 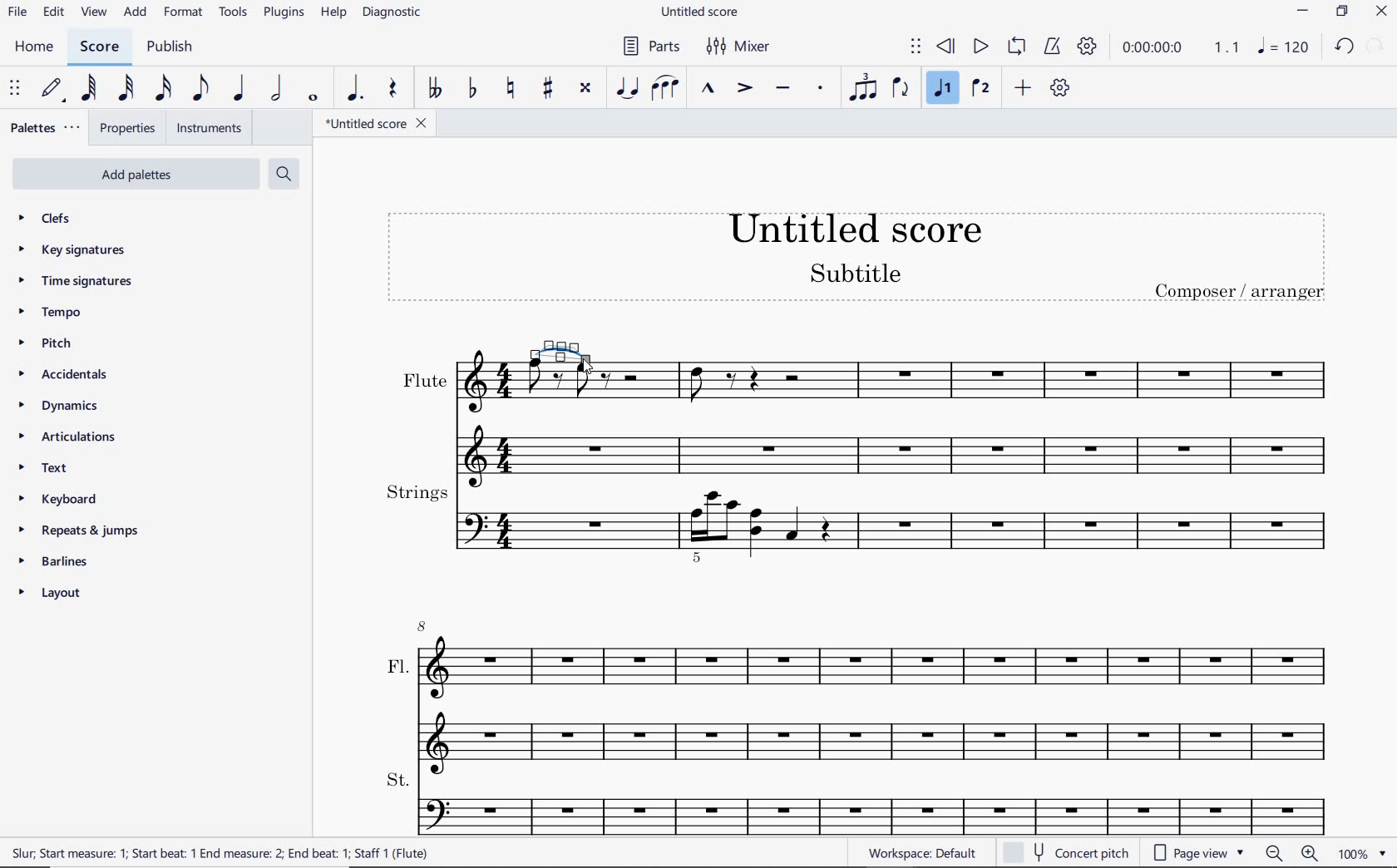 What do you see at coordinates (181, 13) in the screenshot?
I see `format` at bounding box center [181, 13].